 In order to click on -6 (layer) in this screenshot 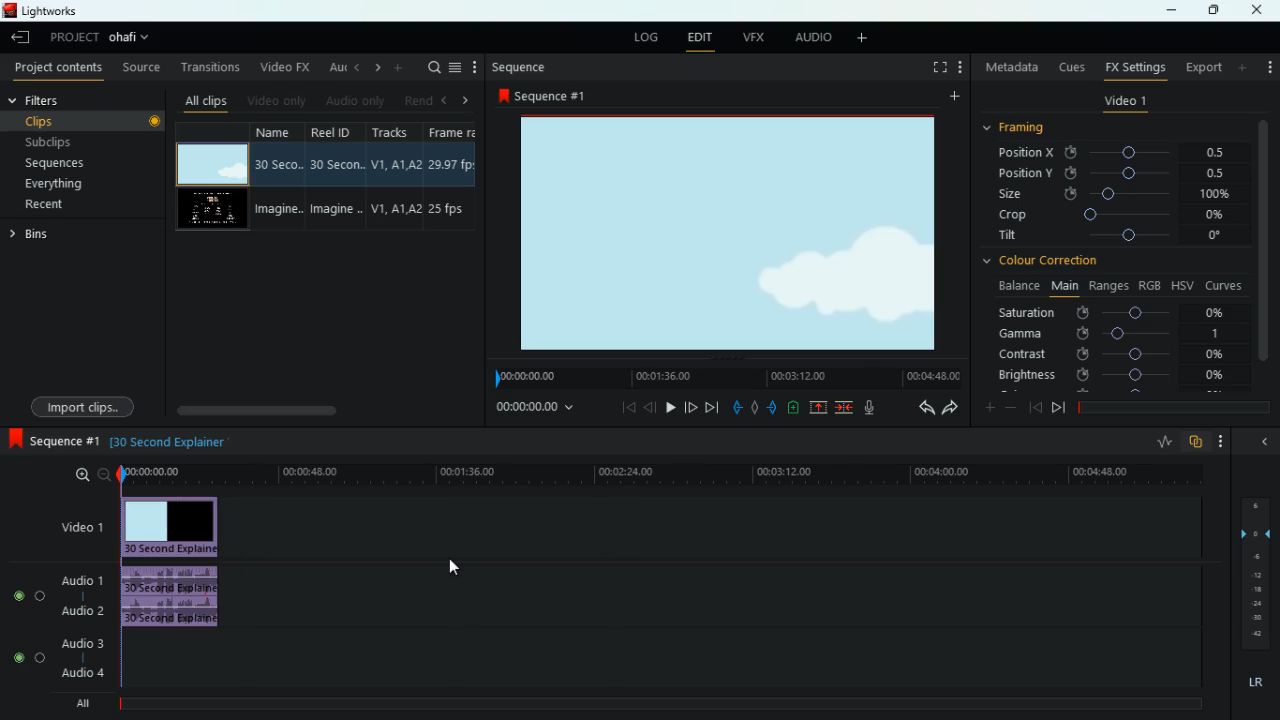, I will do `click(1254, 556)`.